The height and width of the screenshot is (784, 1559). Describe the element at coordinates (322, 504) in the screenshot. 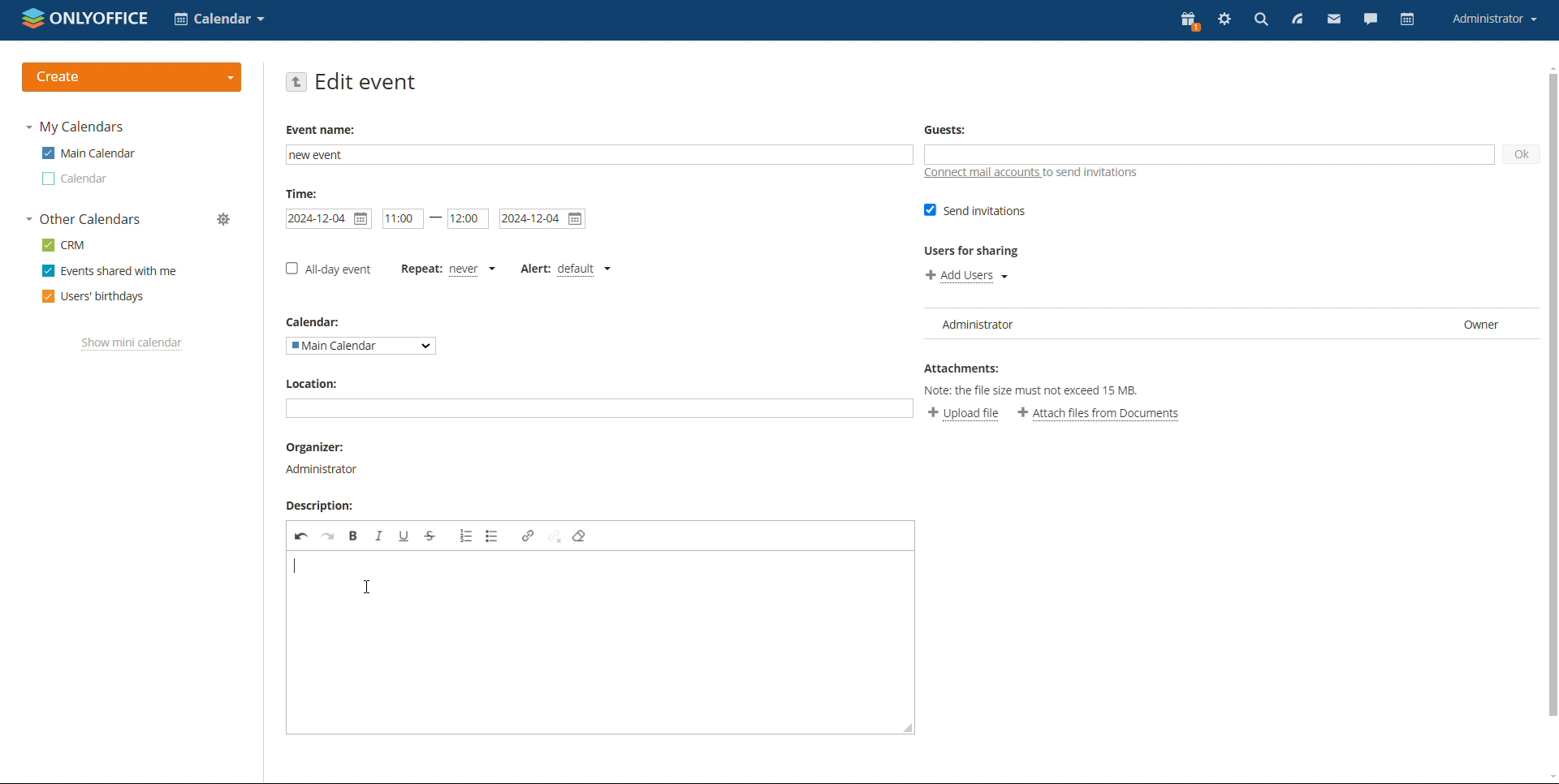

I see `Description:` at that location.